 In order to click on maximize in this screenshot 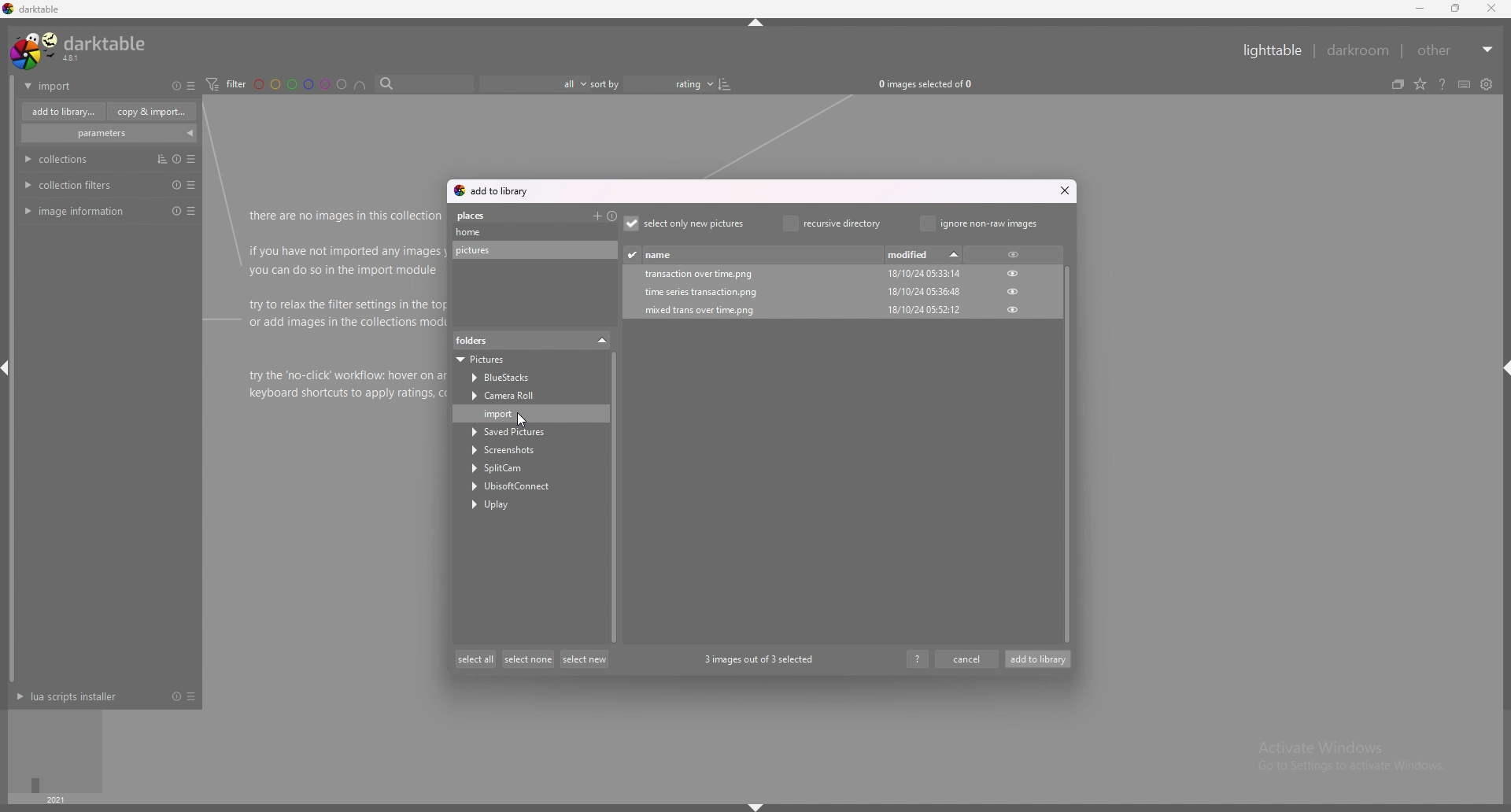, I will do `click(1457, 9)`.